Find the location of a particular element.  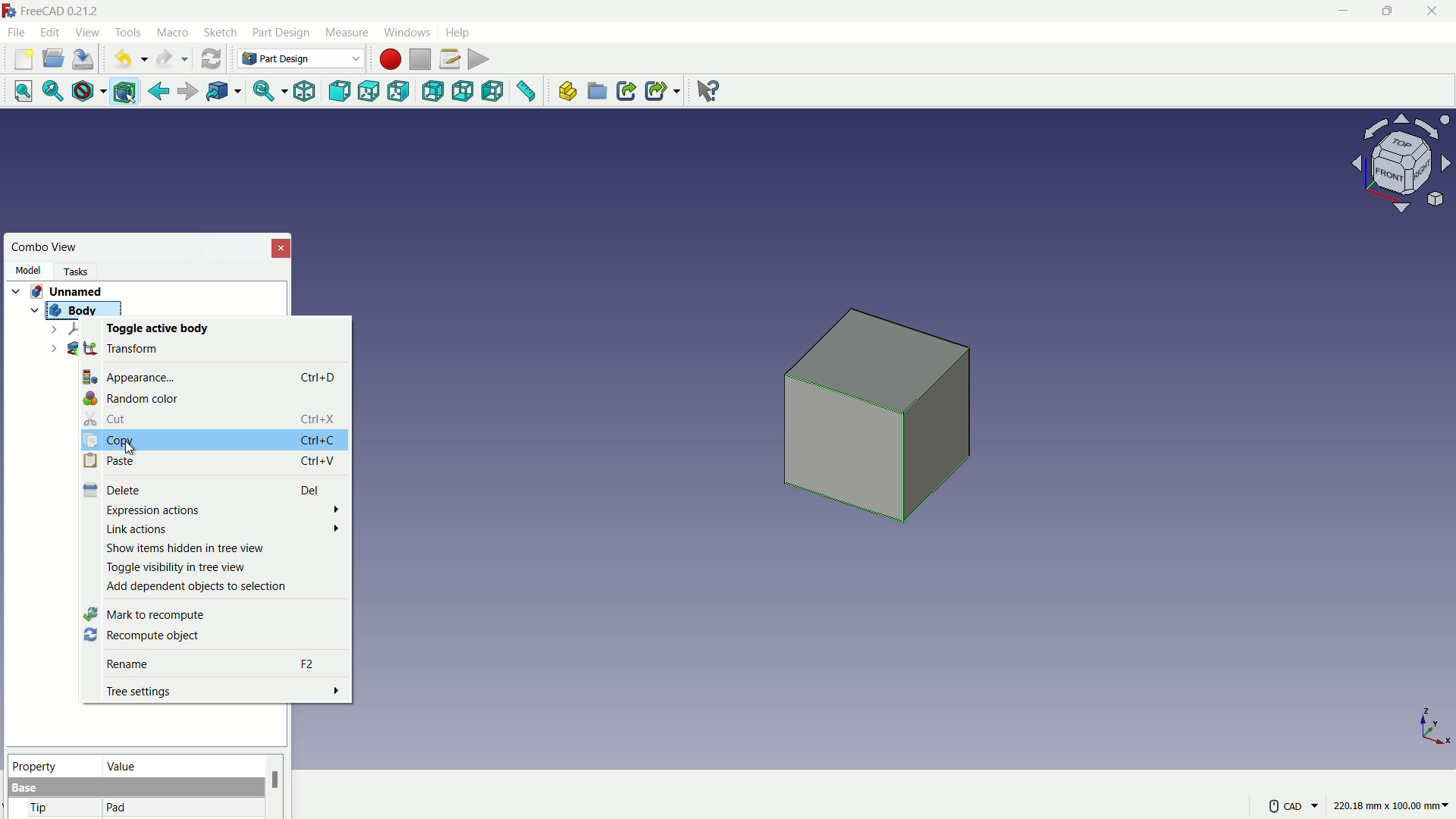

Unnamed is located at coordinates (72, 290).